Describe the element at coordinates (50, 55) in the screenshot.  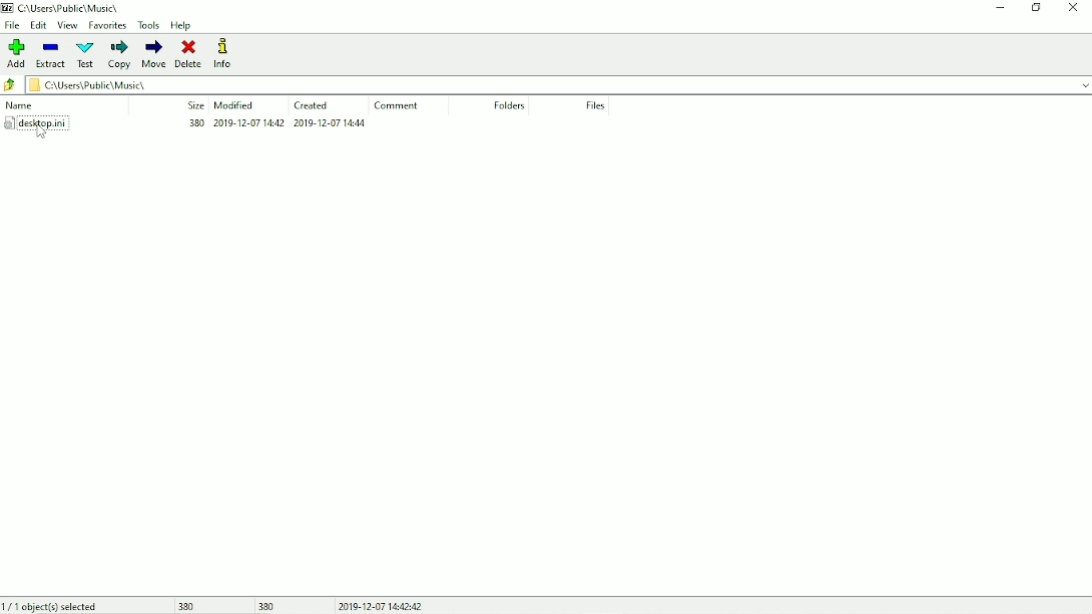
I see `Extract` at that location.